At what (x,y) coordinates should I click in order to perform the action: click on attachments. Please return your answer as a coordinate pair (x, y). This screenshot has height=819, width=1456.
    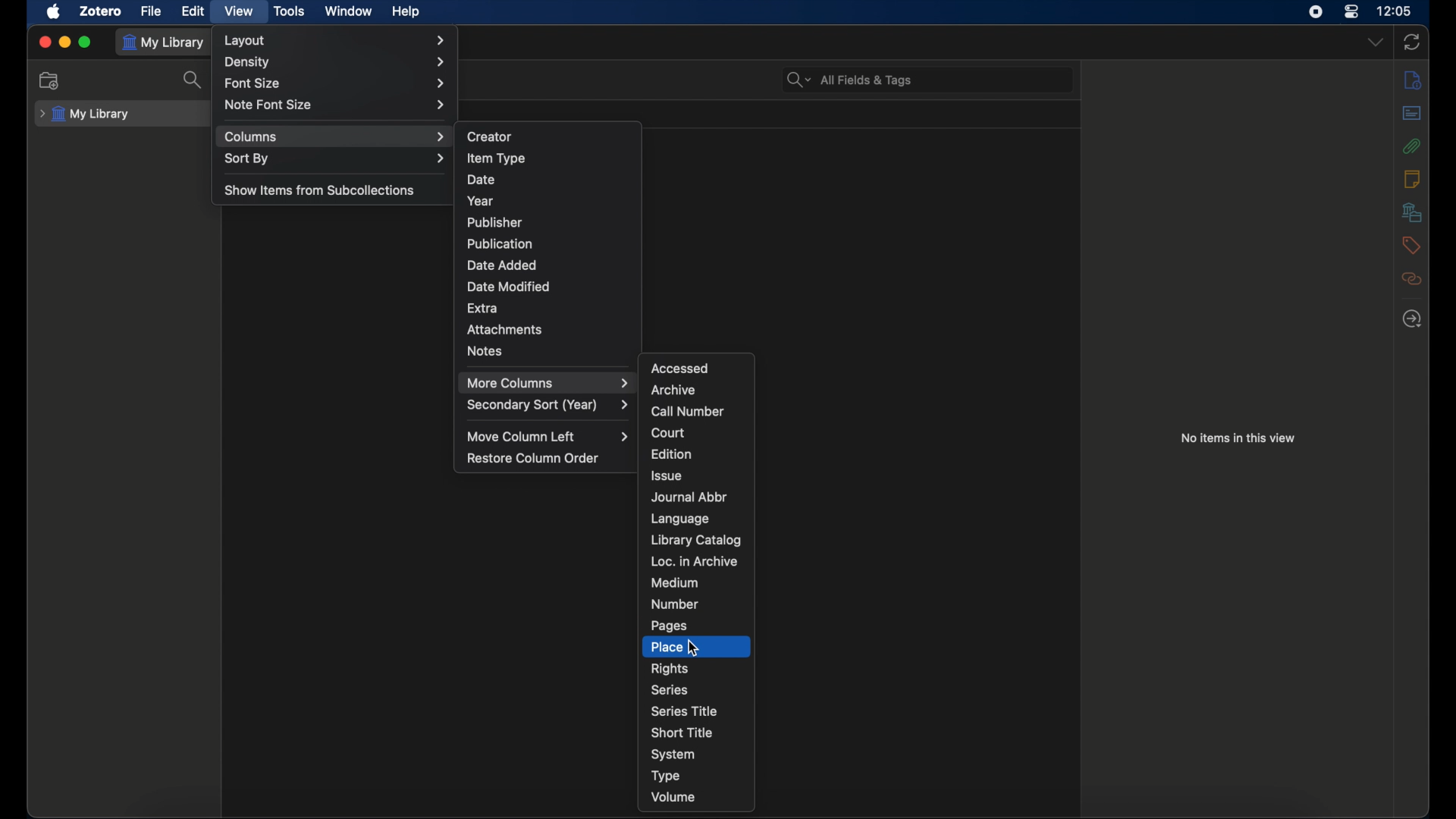
    Looking at the image, I should click on (1411, 146).